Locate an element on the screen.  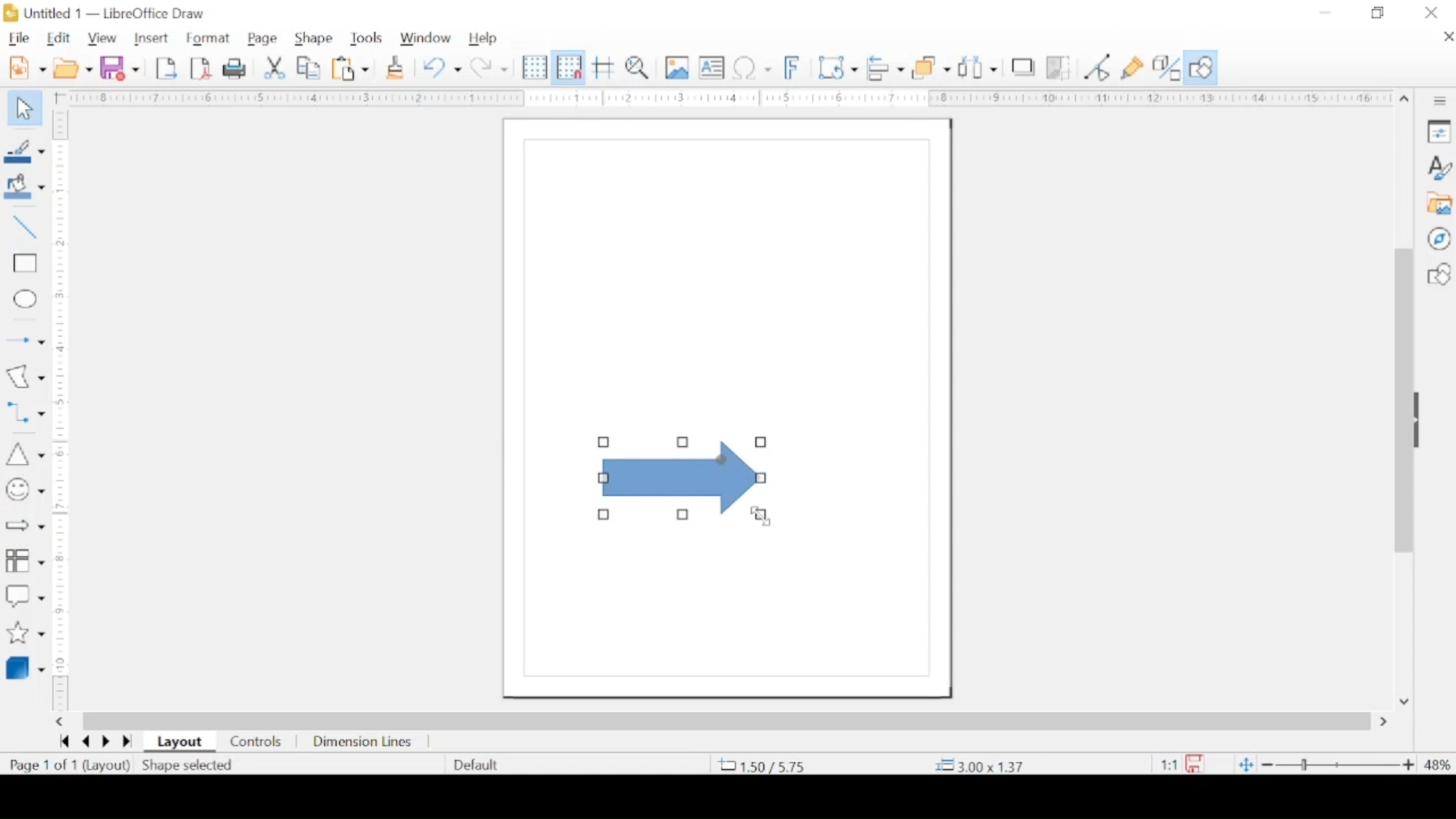
open is located at coordinates (73, 67).